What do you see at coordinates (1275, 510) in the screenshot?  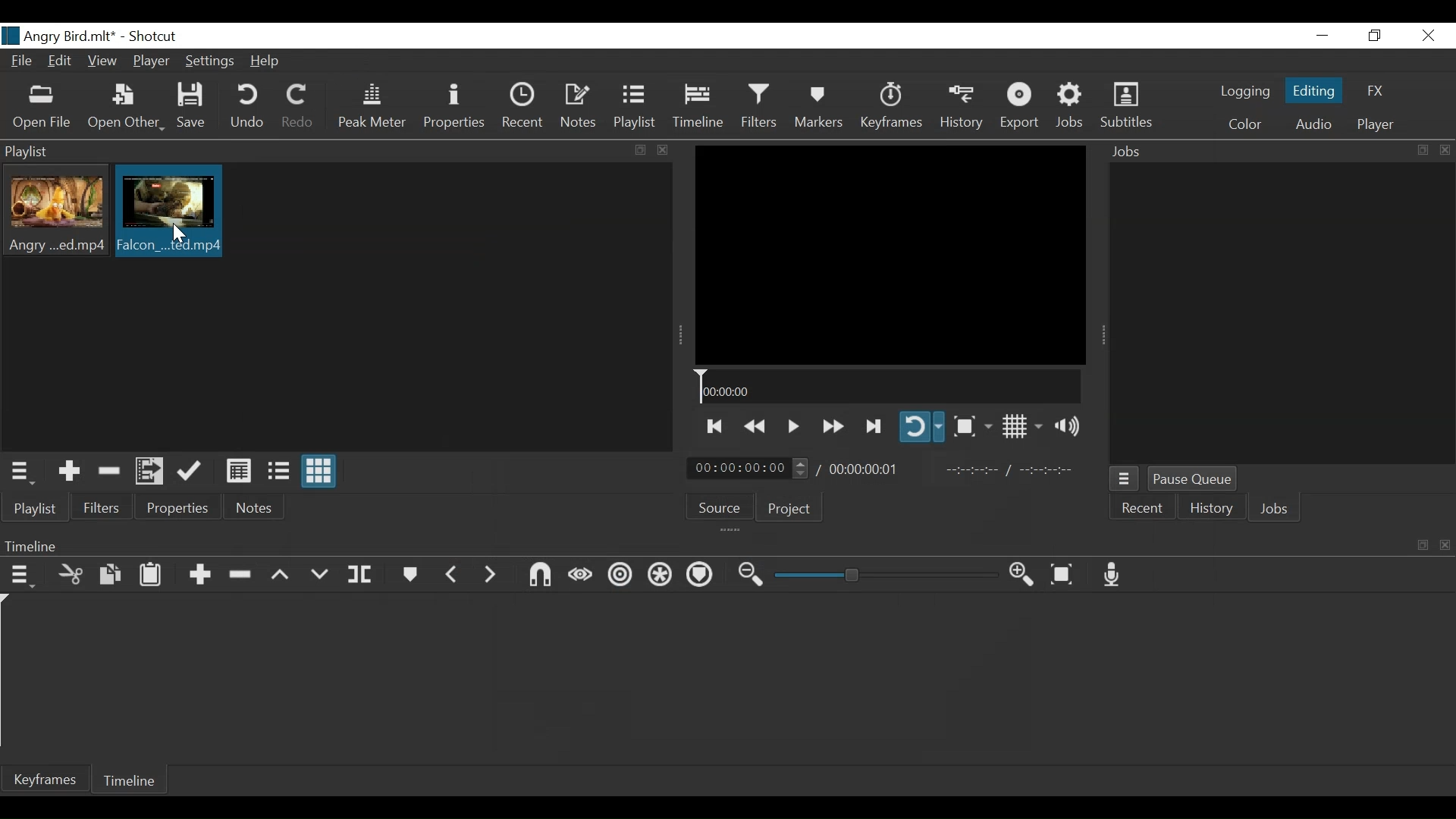 I see `Jobs` at bounding box center [1275, 510].